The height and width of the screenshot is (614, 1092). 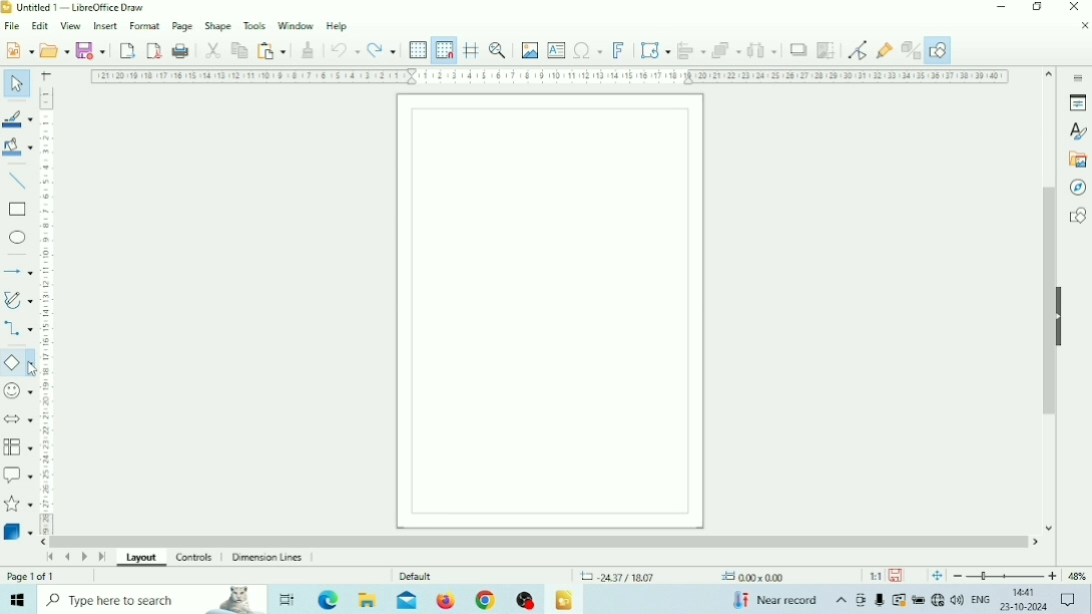 What do you see at coordinates (18, 447) in the screenshot?
I see `Flowchart` at bounding box center [18, 447].